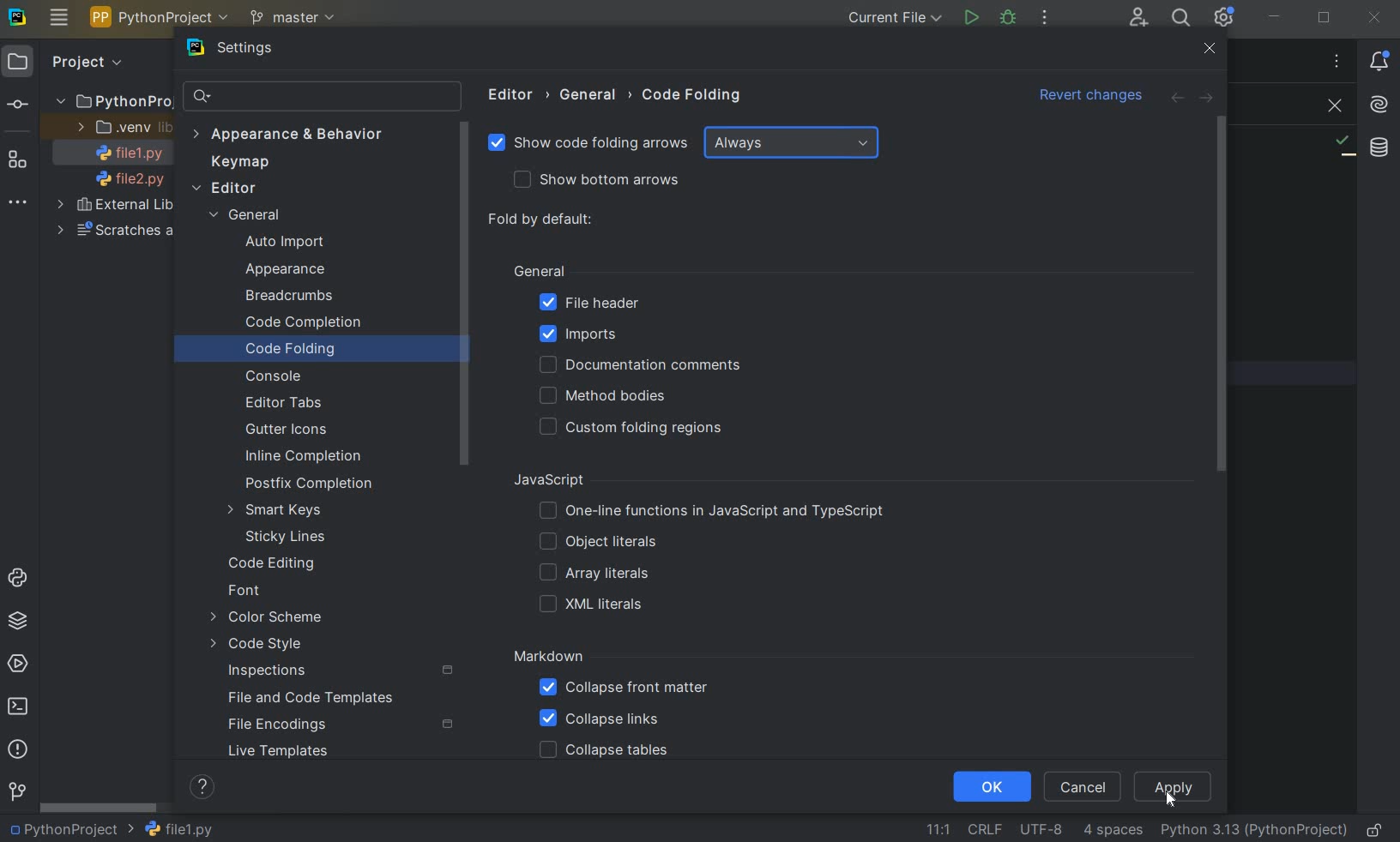 The height and width of the screenshot is (842, 1400). What do you see at coordinates (162, 19) in the screenshot?
I see `PYTHON PROJECT NAME` at bounding box center [162, 19].